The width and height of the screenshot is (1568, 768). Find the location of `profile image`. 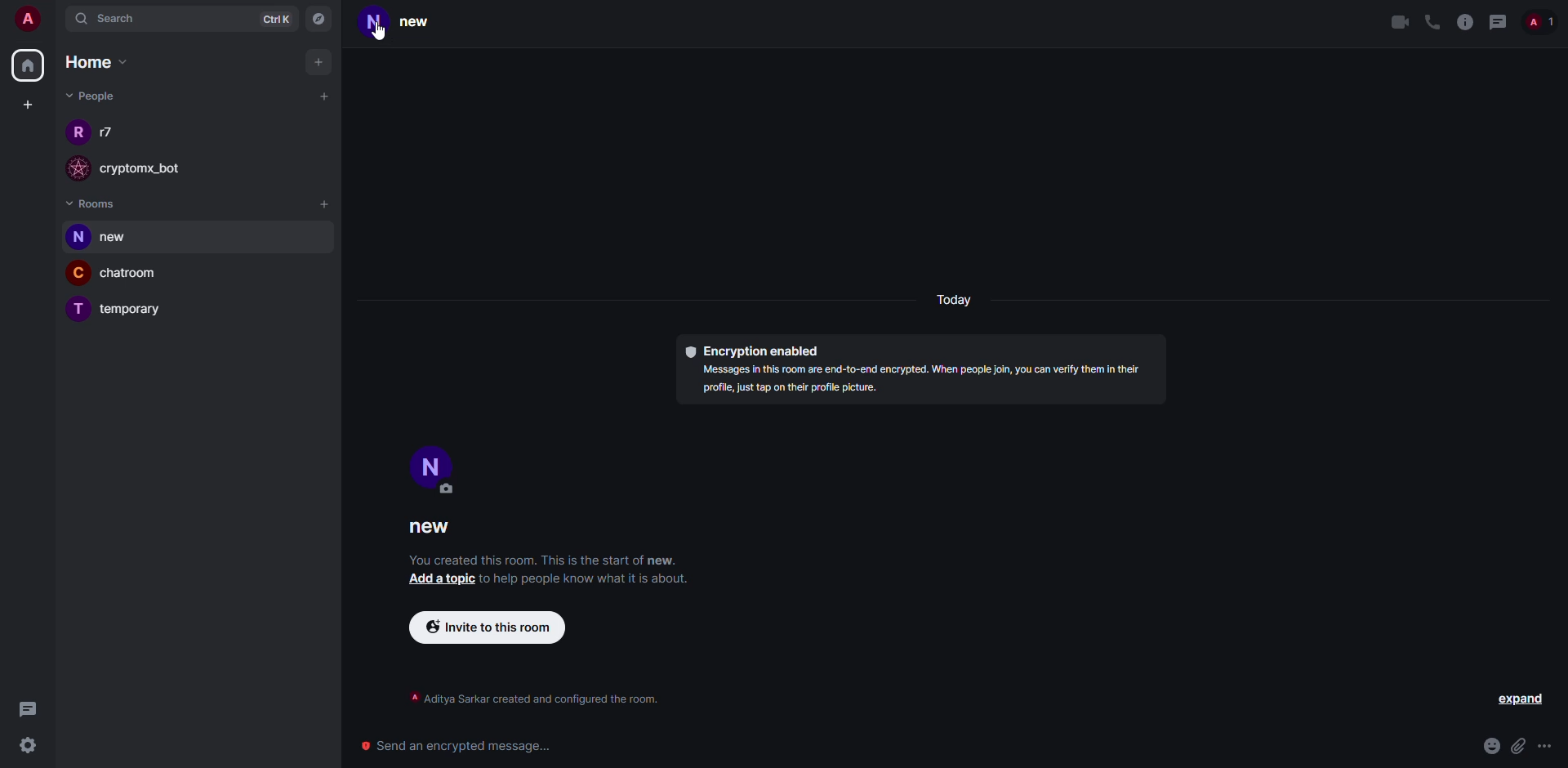

profile image is located at coordinates (74, 168).